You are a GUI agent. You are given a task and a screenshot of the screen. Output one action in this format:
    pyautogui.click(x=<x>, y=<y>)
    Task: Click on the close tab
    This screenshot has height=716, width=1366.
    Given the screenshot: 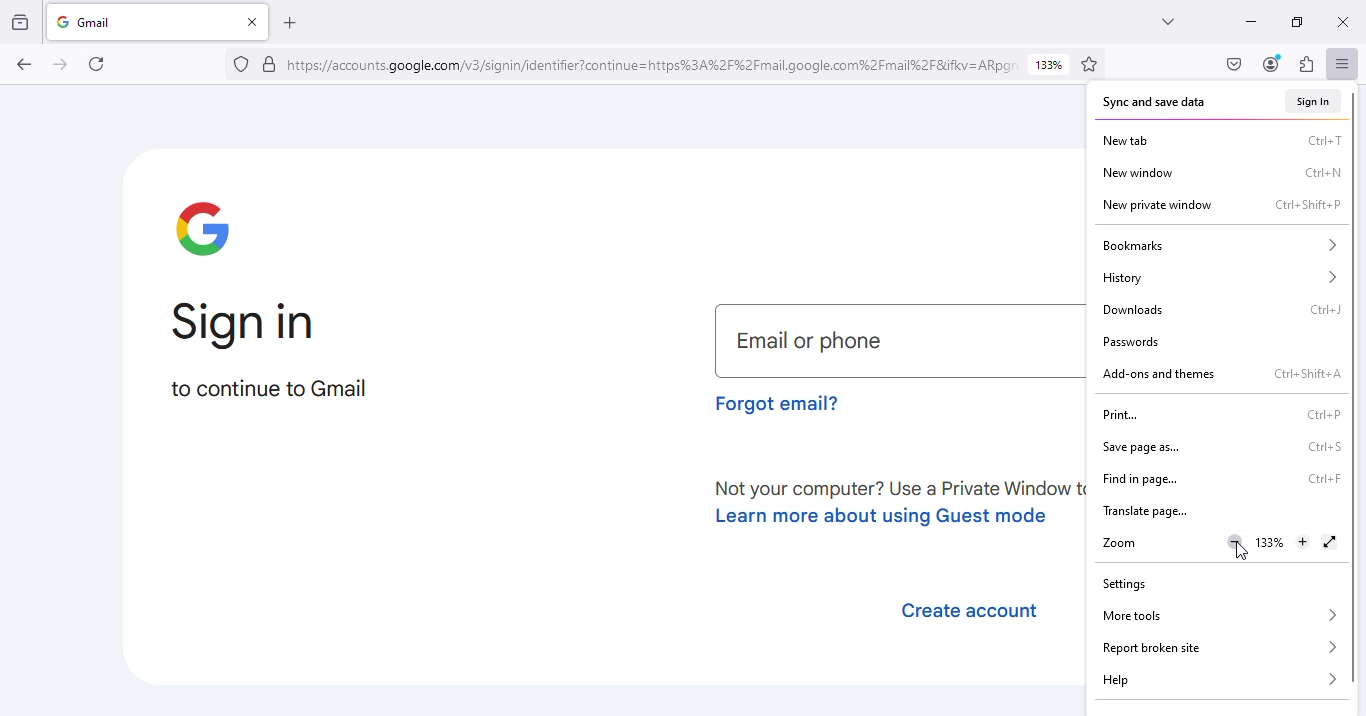 What is the action you would take?
    pyautogui.click(x=254, y=21)
    